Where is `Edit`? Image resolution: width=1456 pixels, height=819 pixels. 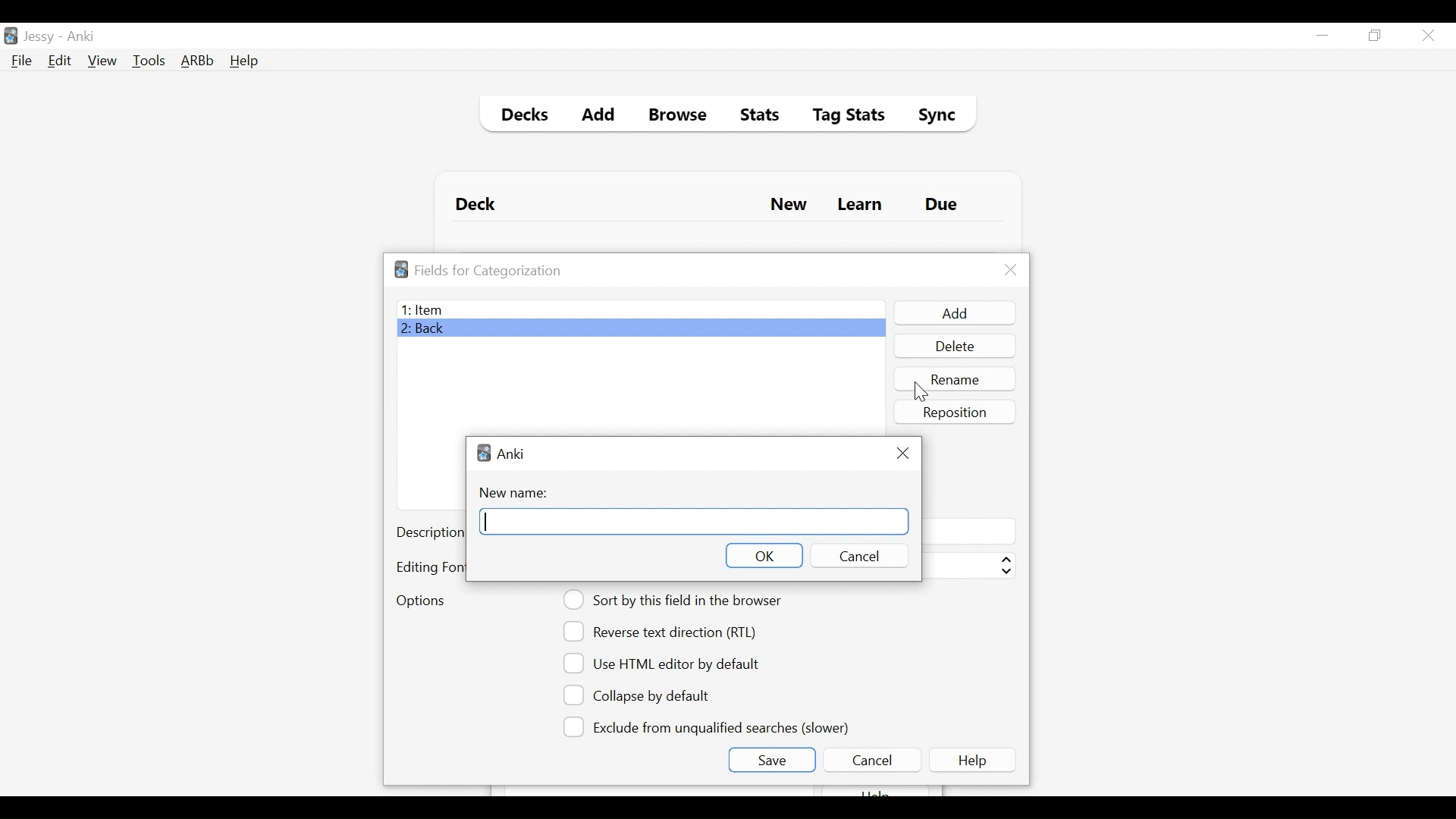 Edit is located at coordinates (58, 62).